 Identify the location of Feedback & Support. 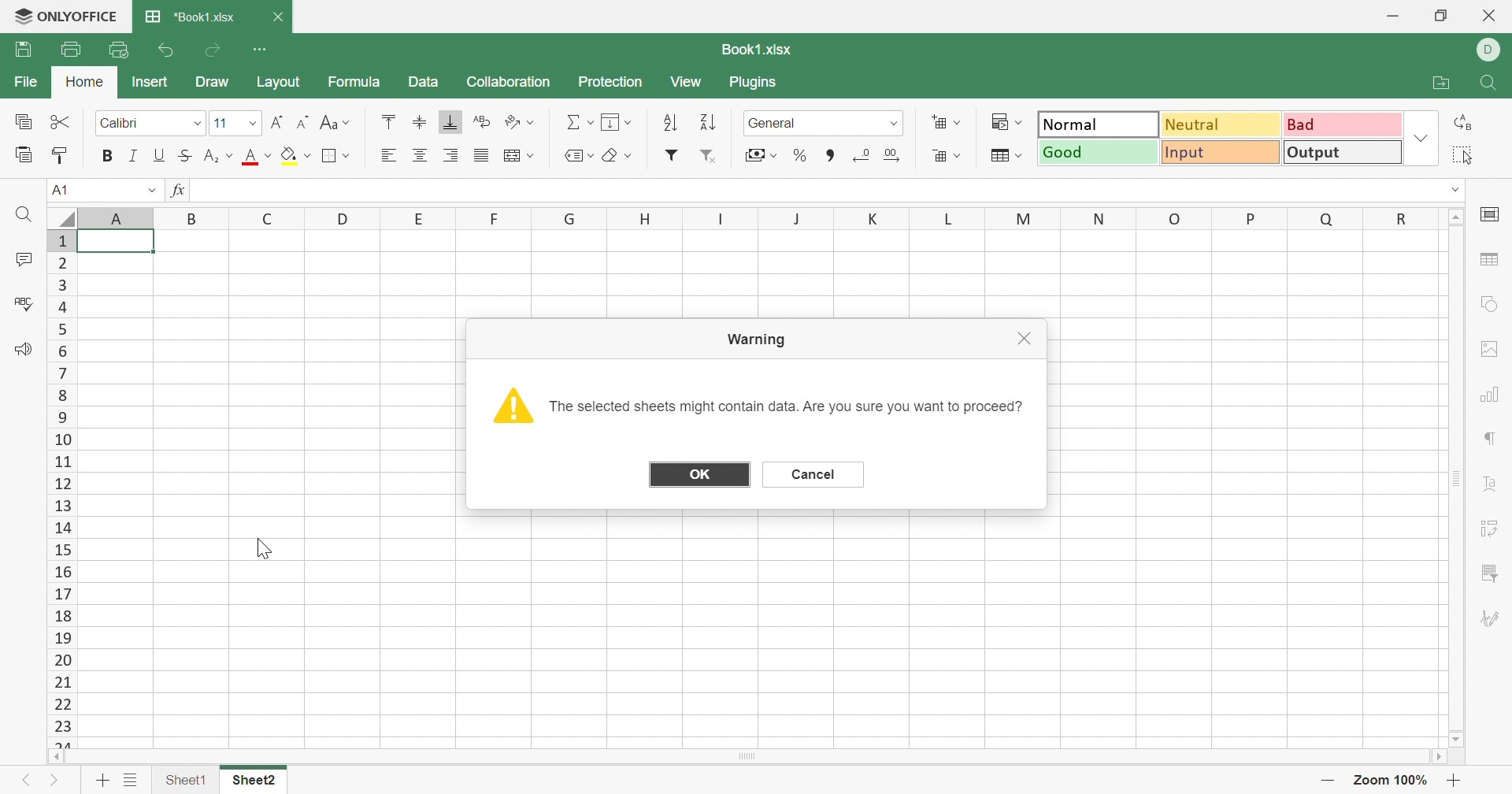
(26, 350).